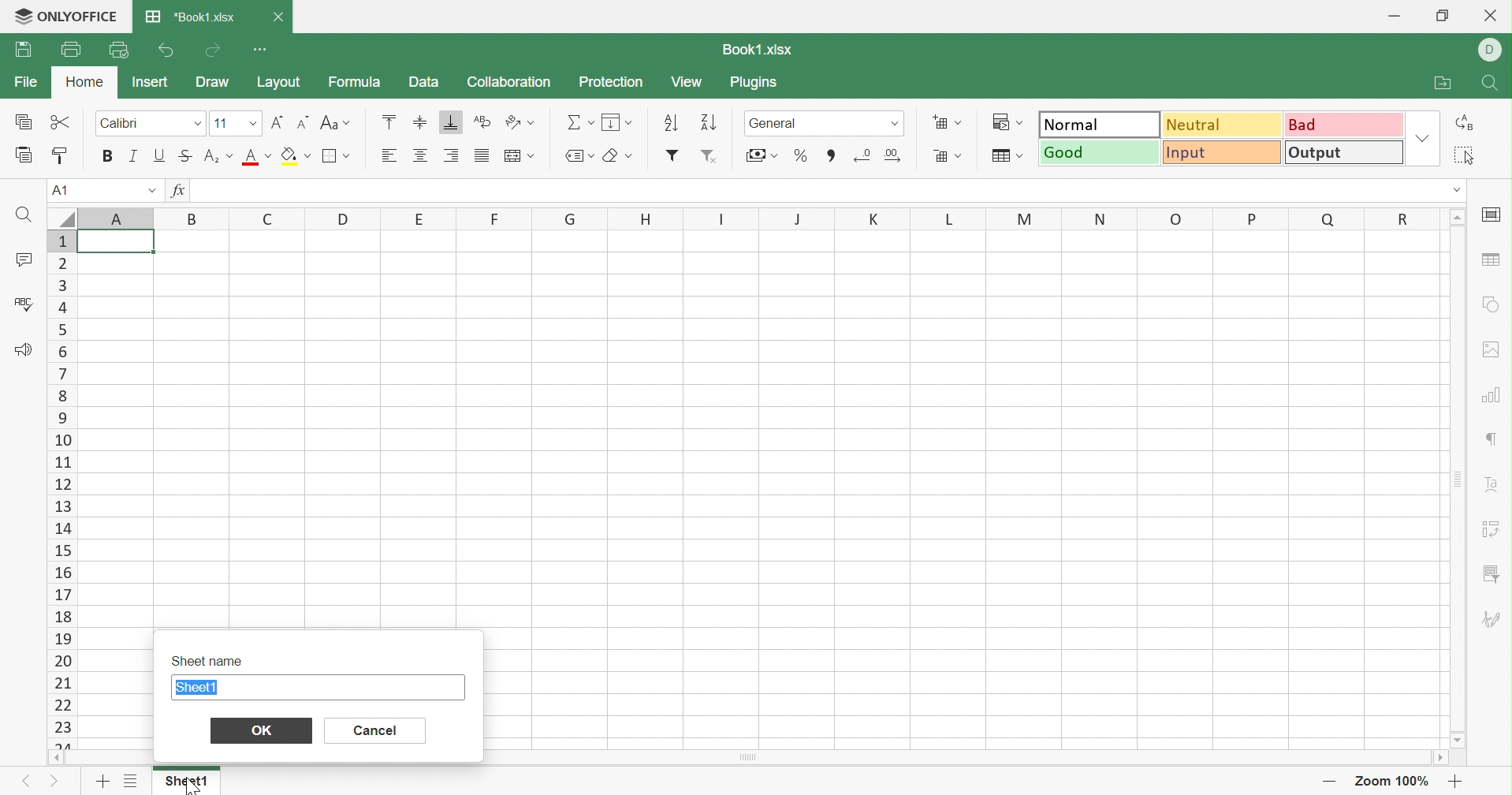  Describe the element at coordinates (214, 154) in the screenshot. I see `Superscript/Subscript` at that location.